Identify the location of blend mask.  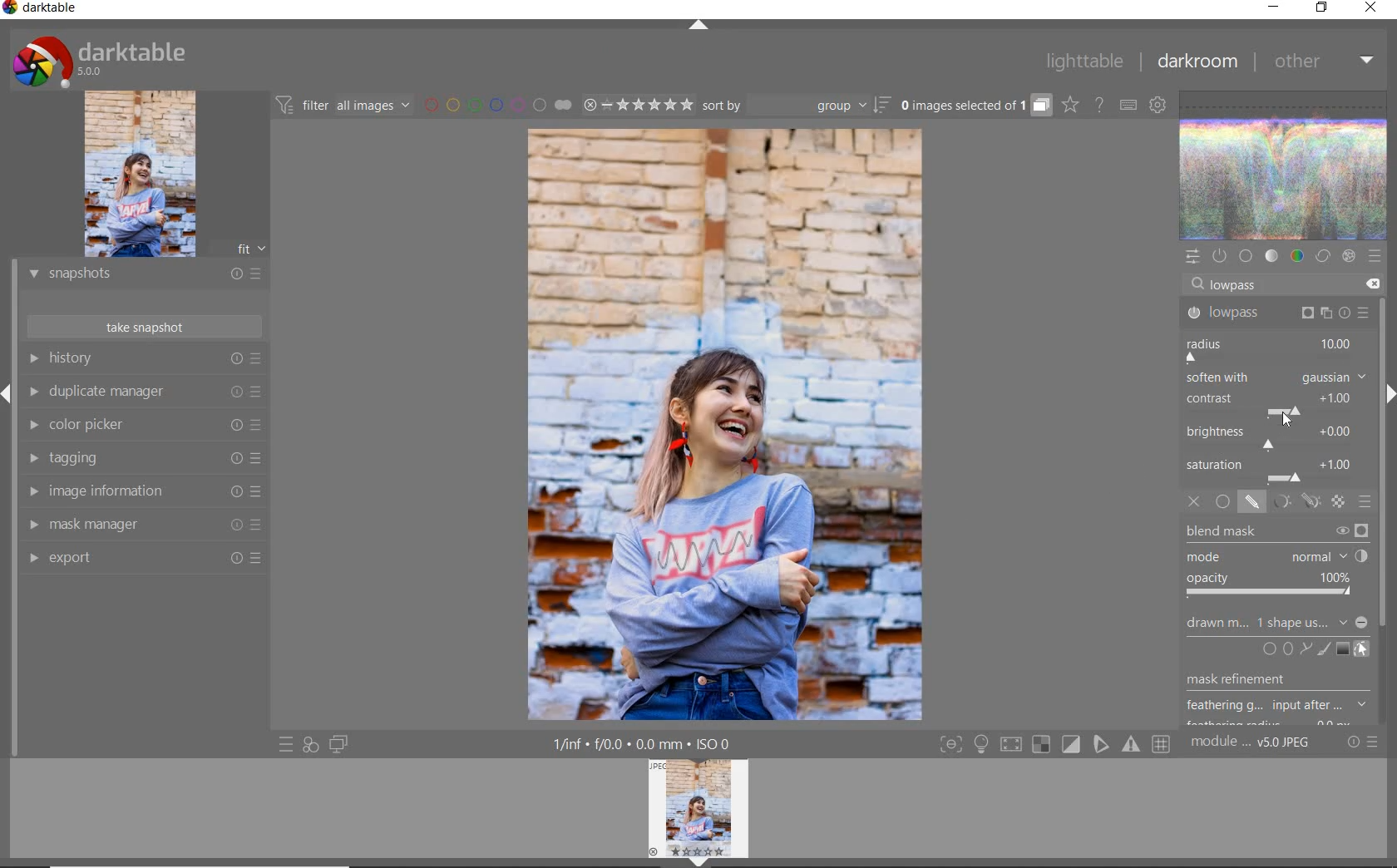
(1281, 562).